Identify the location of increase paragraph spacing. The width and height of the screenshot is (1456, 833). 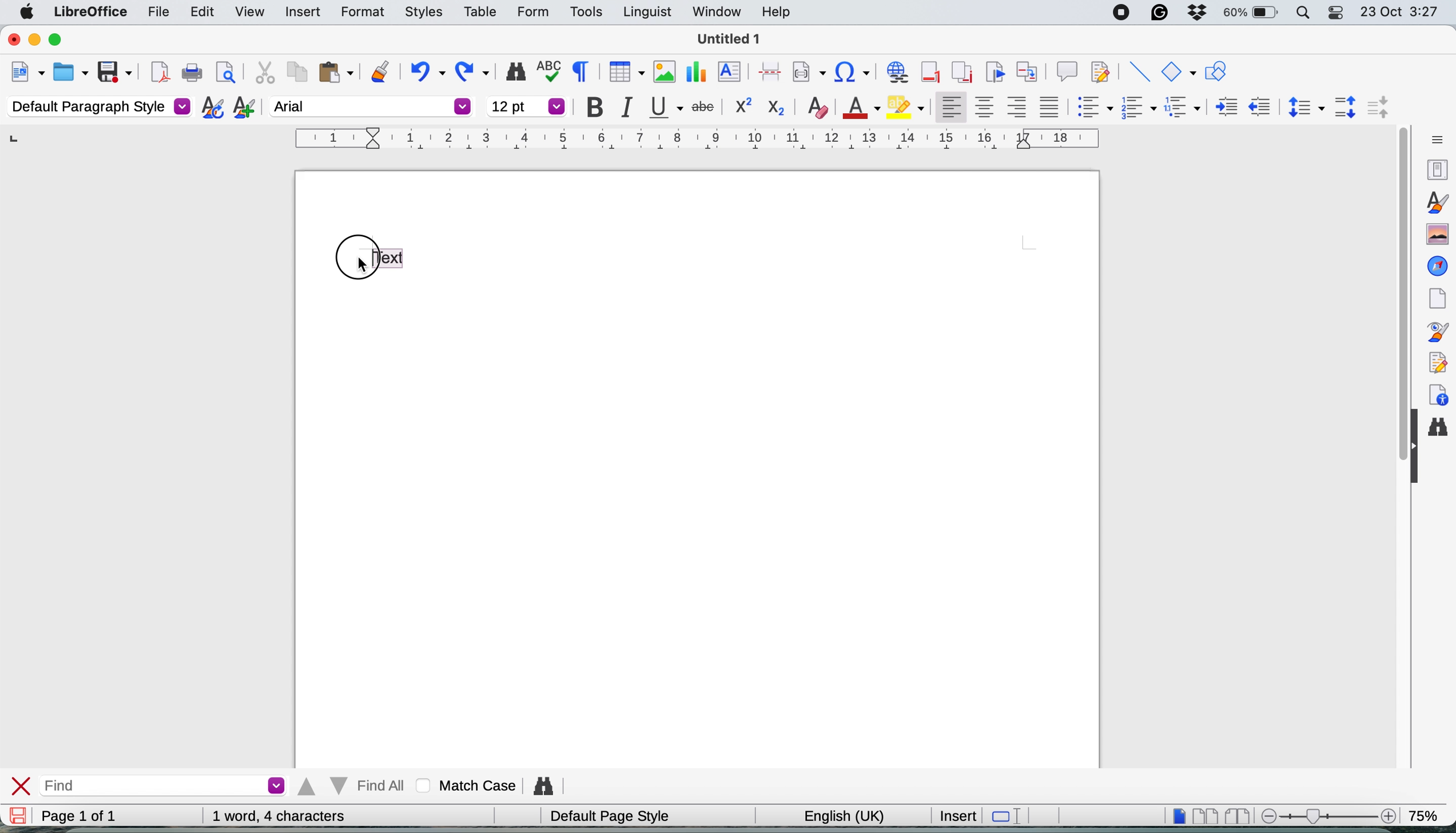
(1347, 106).